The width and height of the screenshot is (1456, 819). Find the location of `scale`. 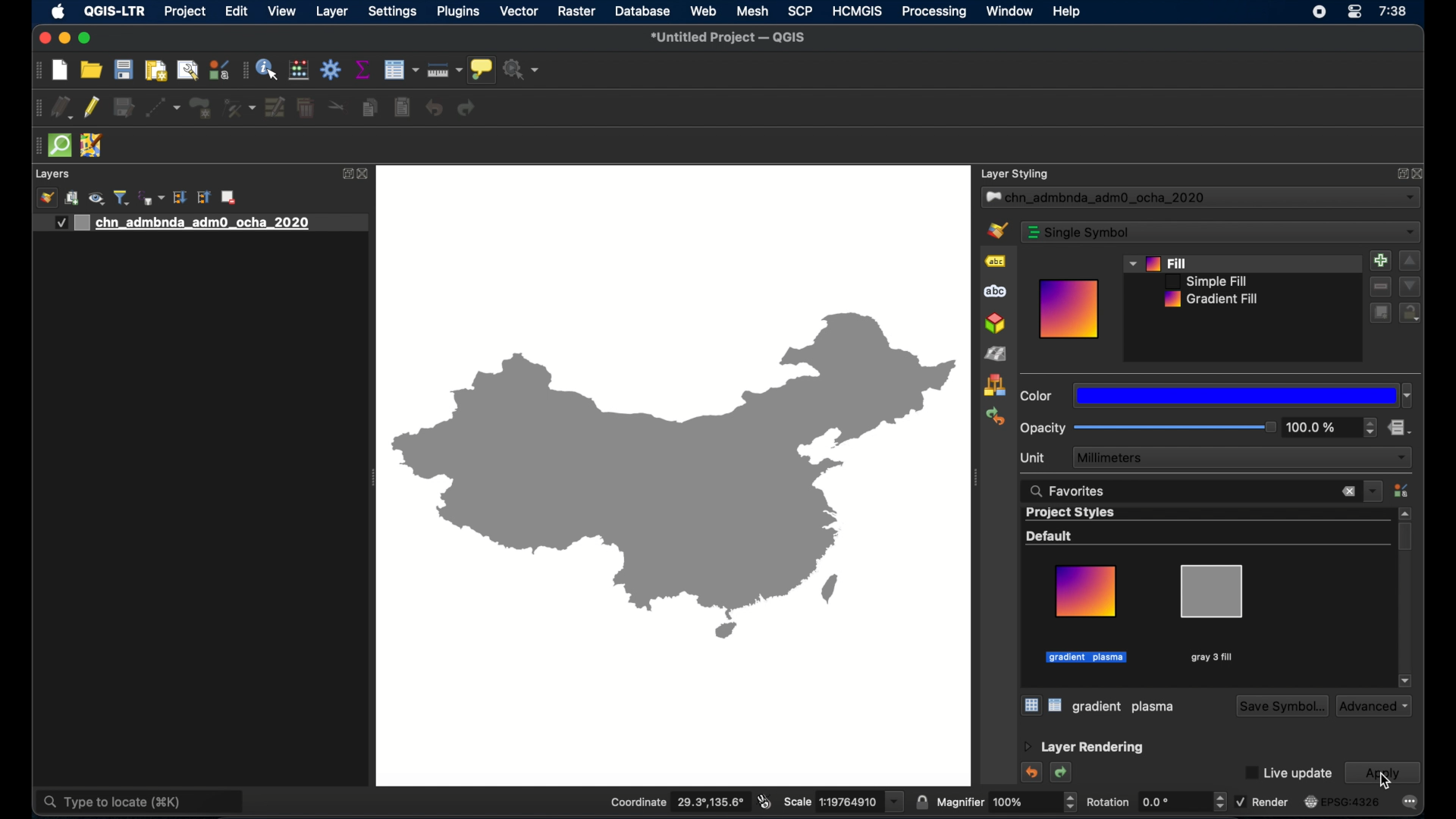

scale is located at coordinates (833, 801).